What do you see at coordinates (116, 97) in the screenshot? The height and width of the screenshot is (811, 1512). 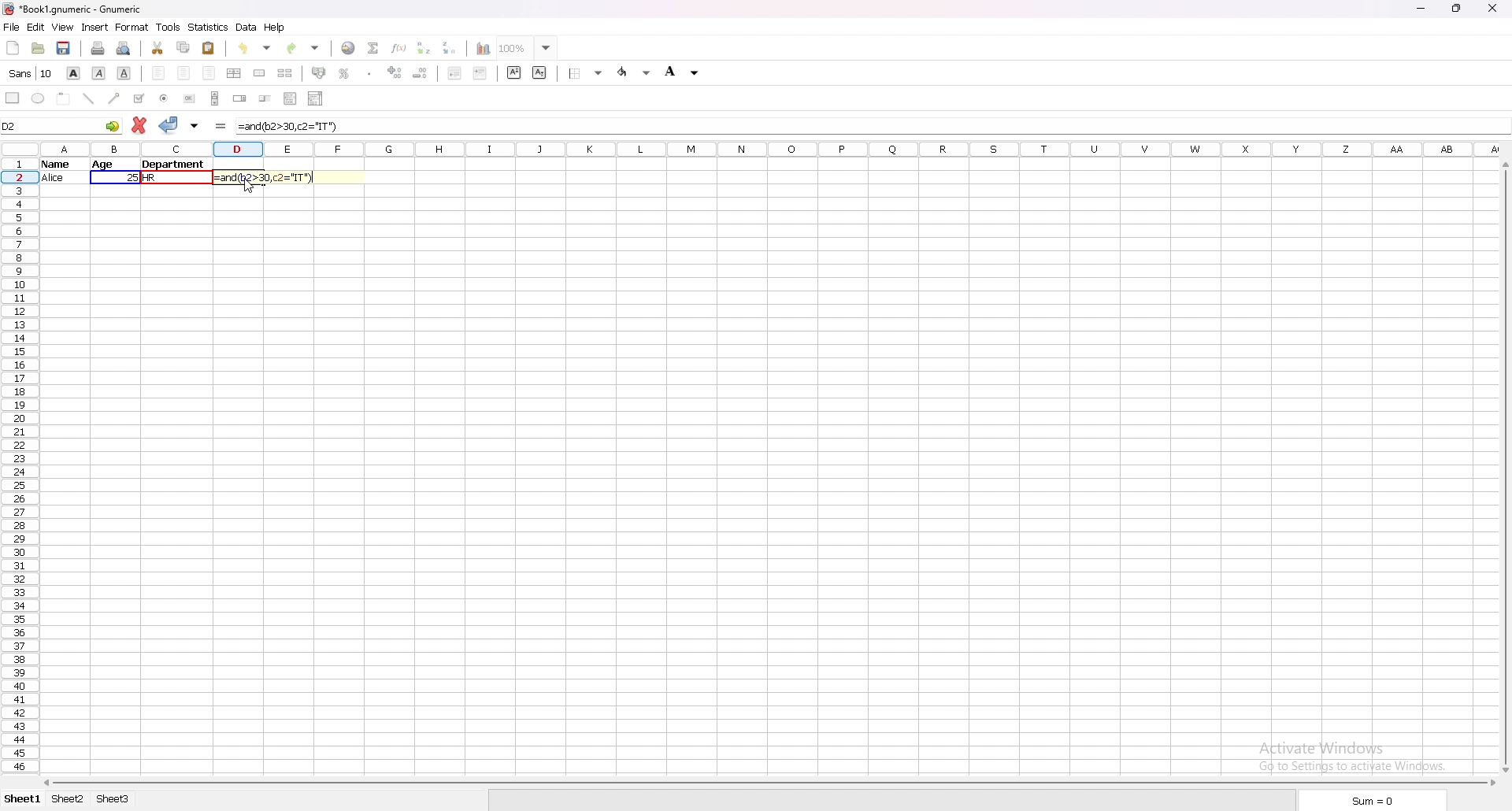 I see `arrowed line` at bounding box center [116, 97].